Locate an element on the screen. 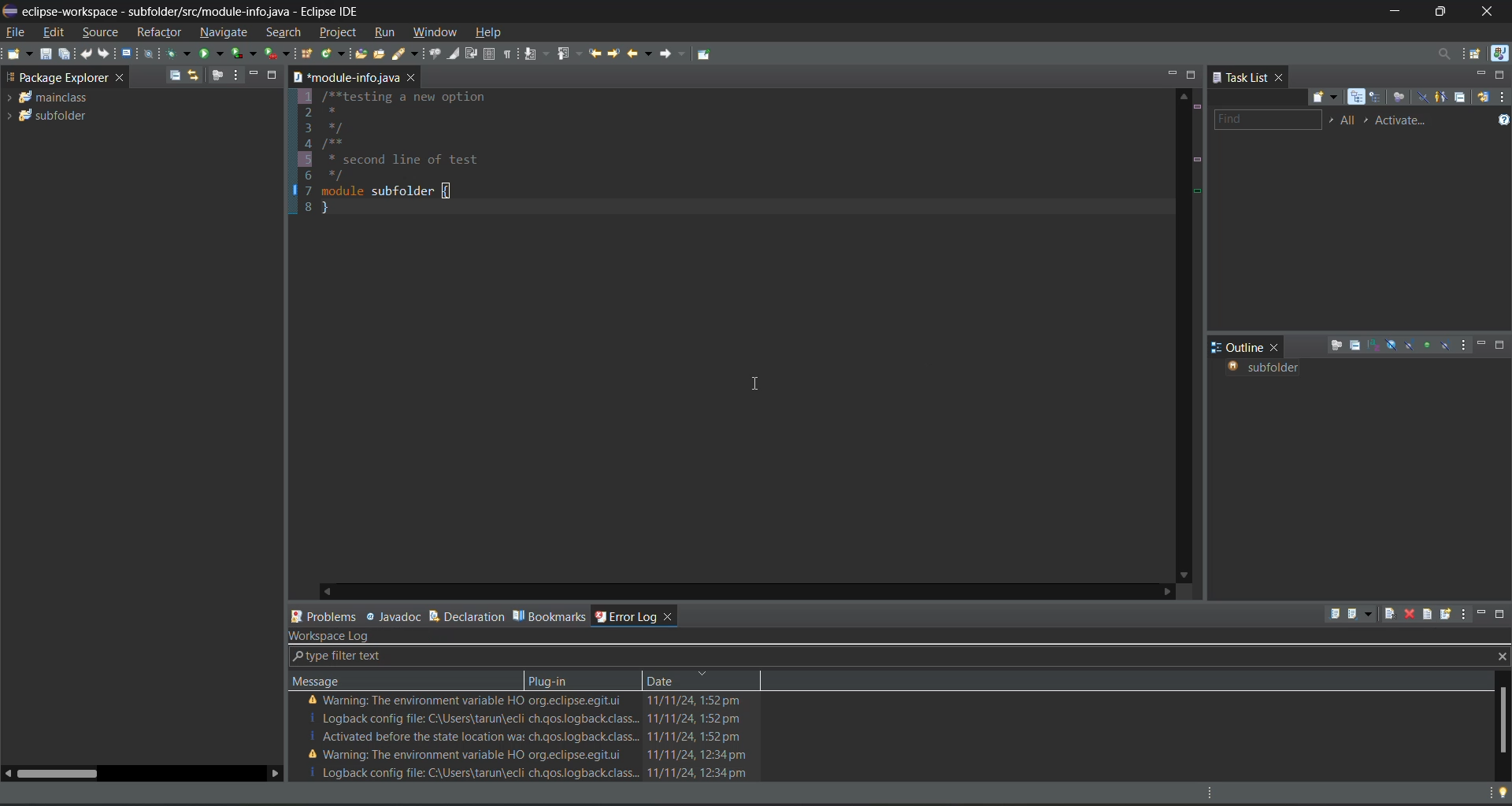 Image resolution: width=1512 pixels, height=806 pixels. type filter text is located at coordinates (342, 656).